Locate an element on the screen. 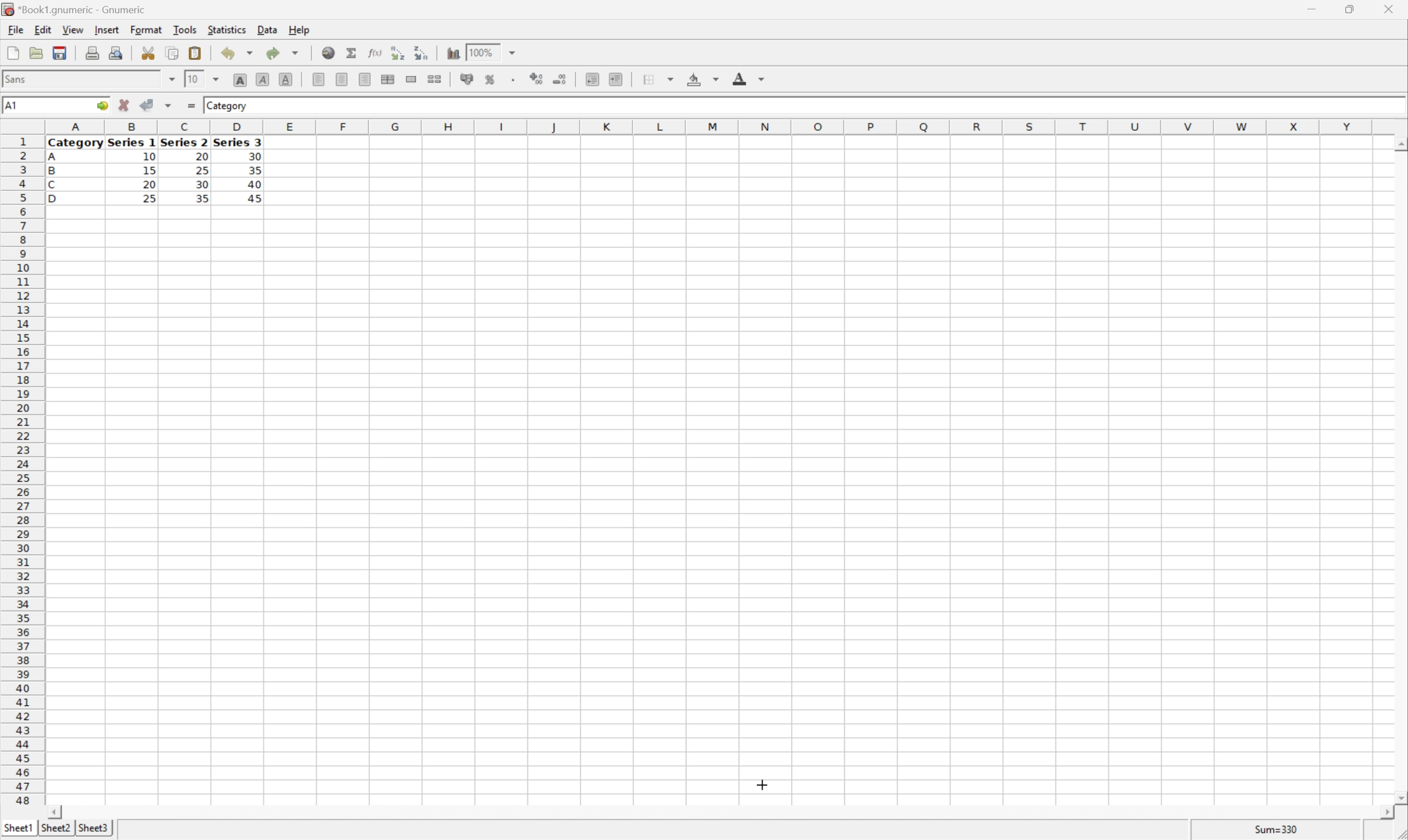  20 is located at coordinates (149, 185).